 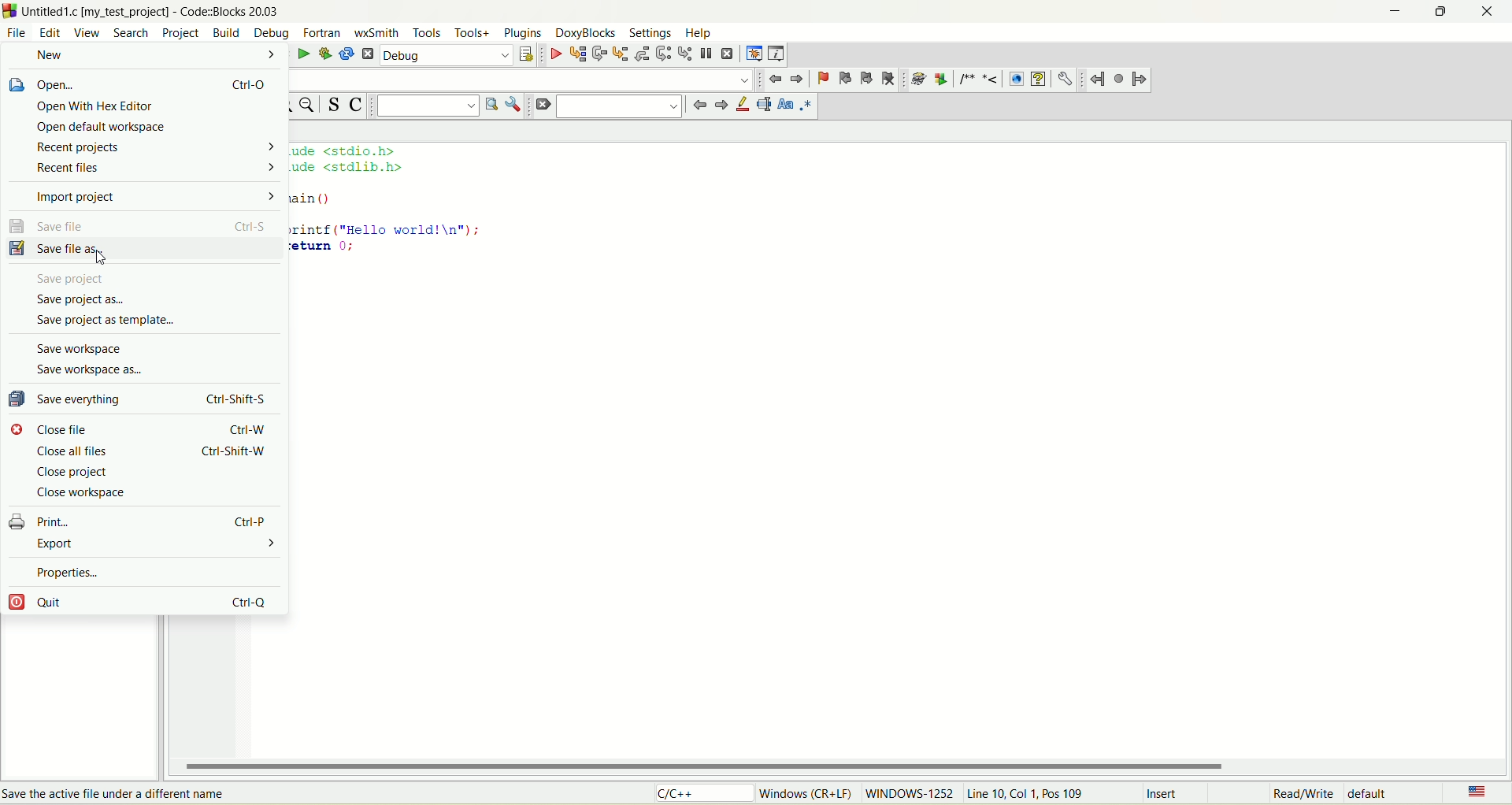 I want to click on jump back, so click(x=776, y=80).